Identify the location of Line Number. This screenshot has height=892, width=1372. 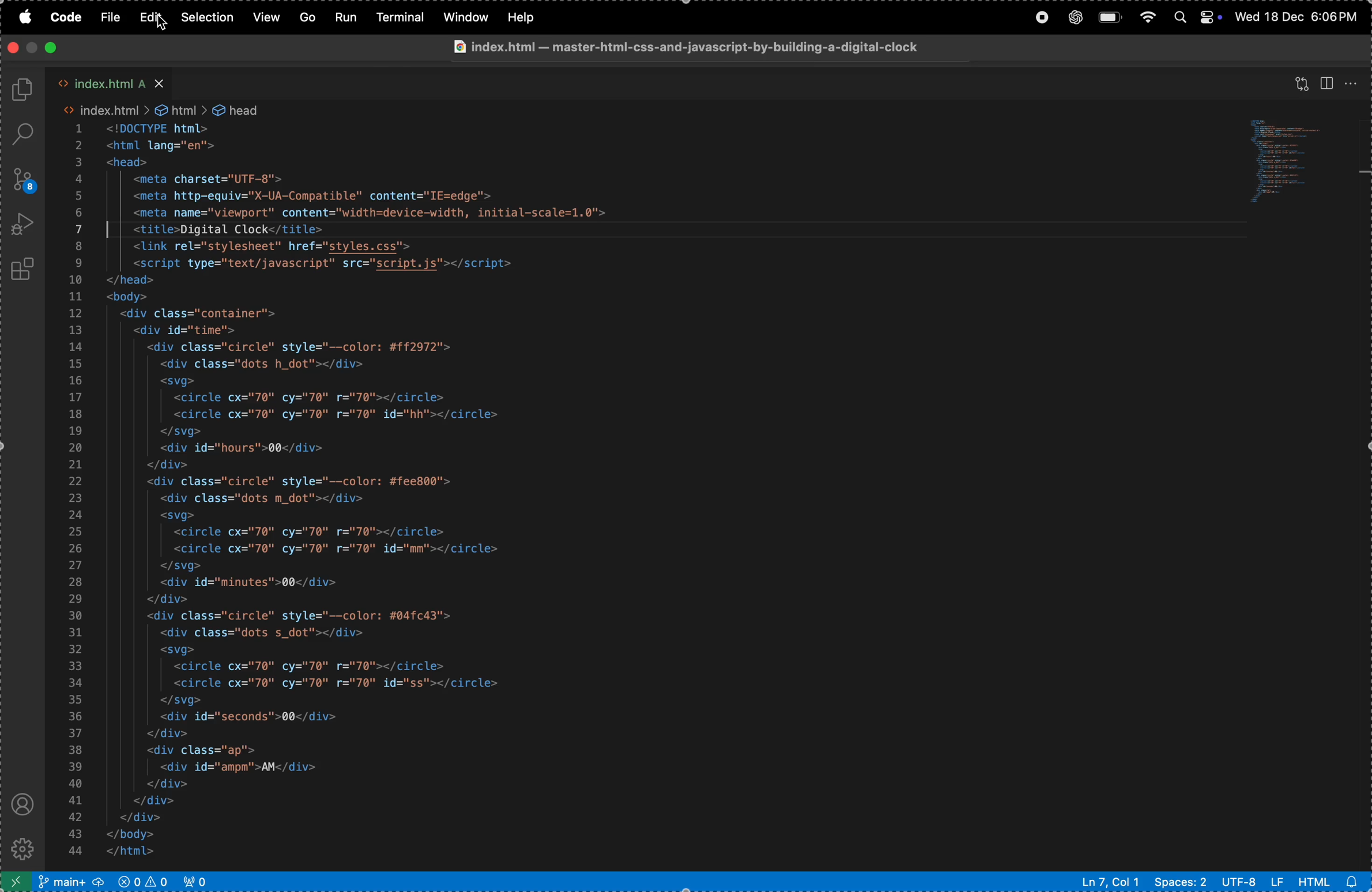
(76, 493).